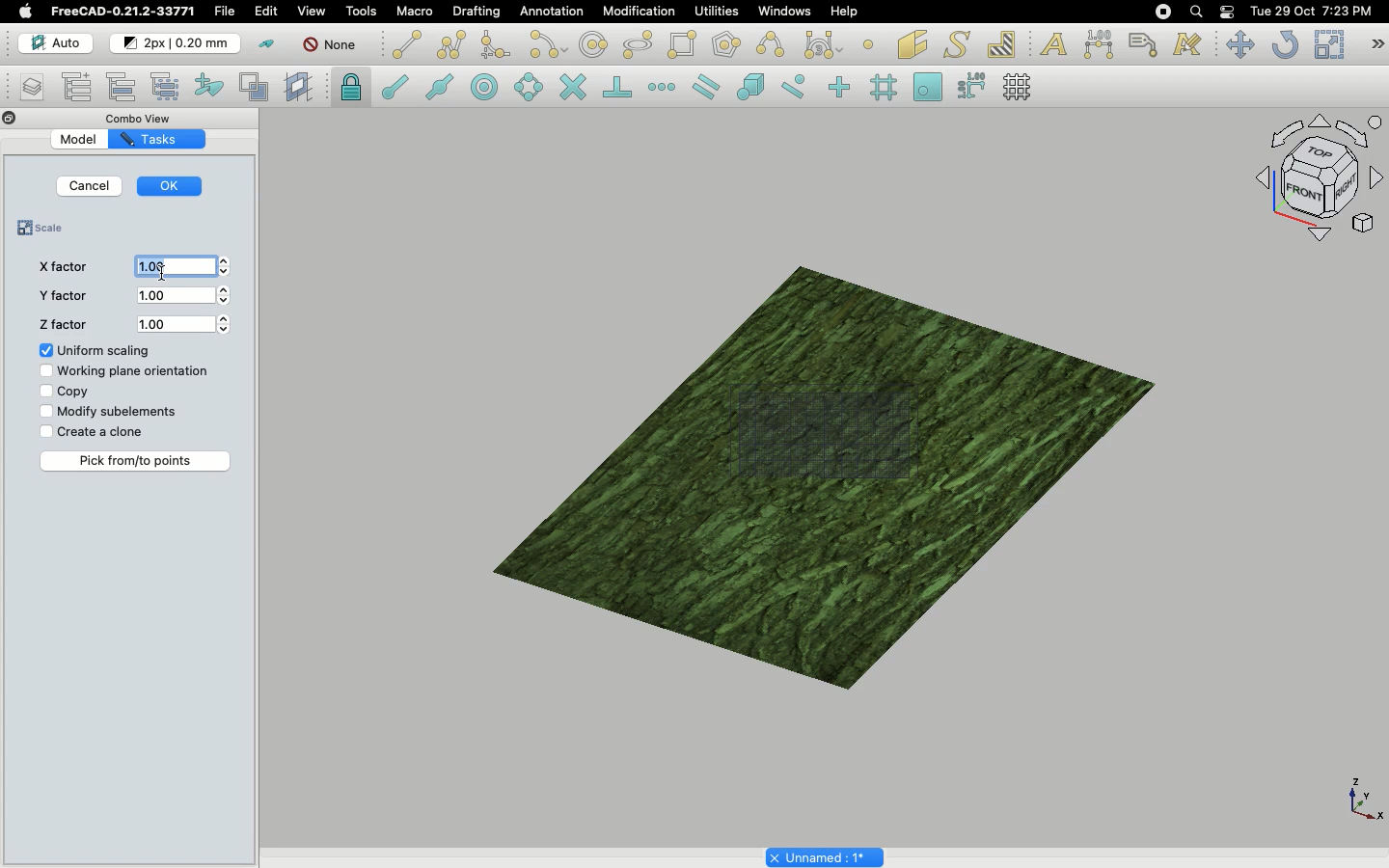 The image size is (1389, 868). I want to click on Drafting, so click(477, 13).